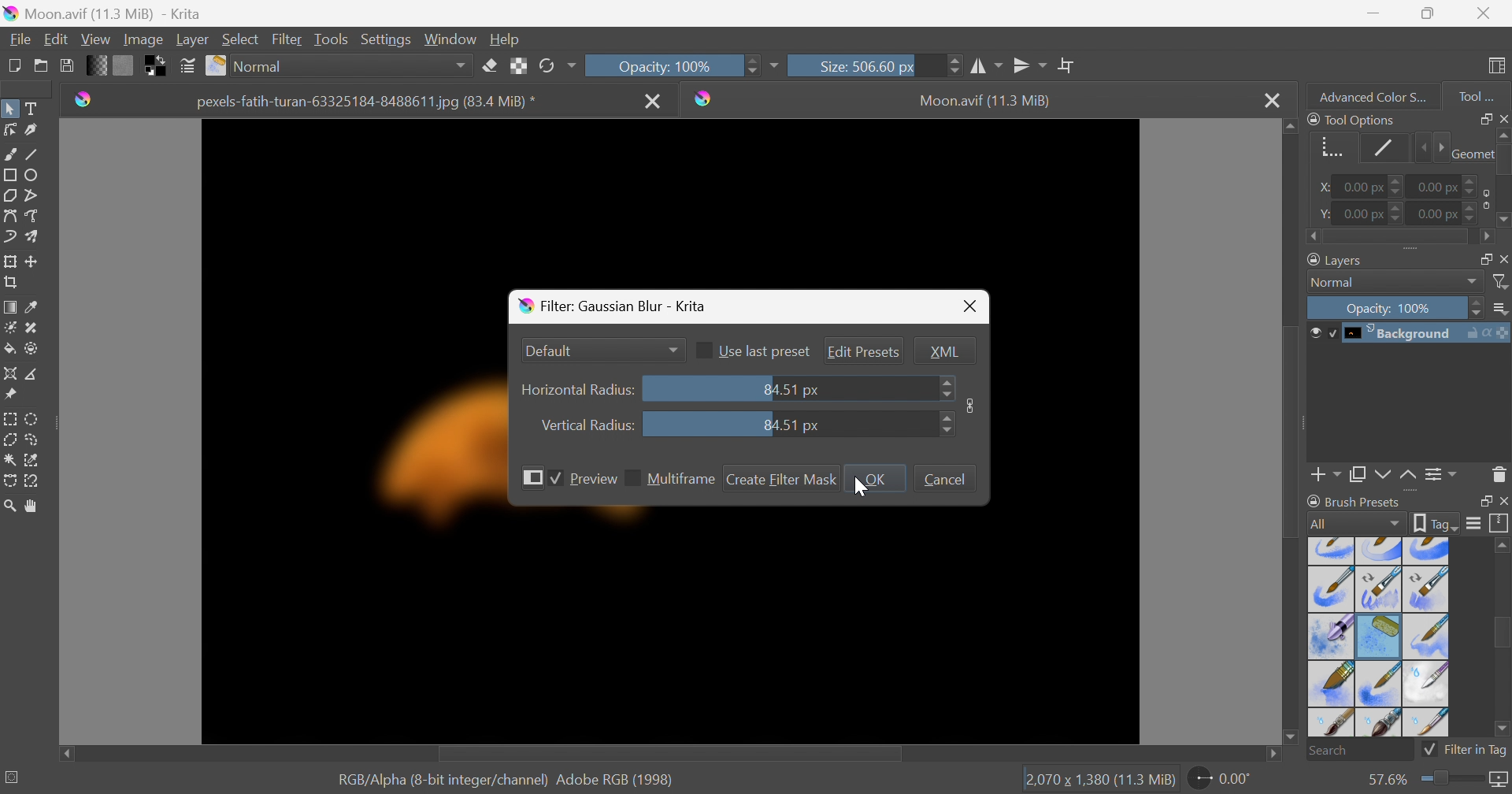 Image resolution: width=1512 pixels, height=794 pixels. Describe the element at coordinates (863, 351) in the screenshot. I see `Edit presets` at that location.